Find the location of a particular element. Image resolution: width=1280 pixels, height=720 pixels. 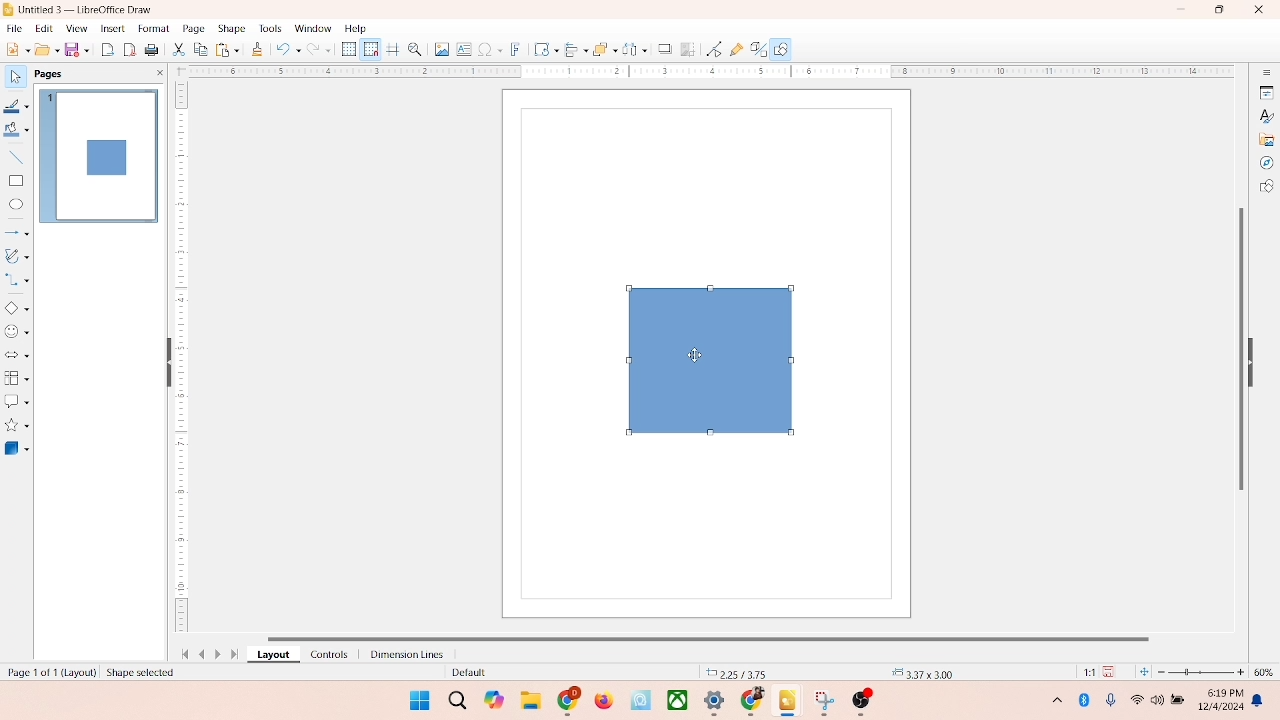

page number is located at coordinates (49, 670).